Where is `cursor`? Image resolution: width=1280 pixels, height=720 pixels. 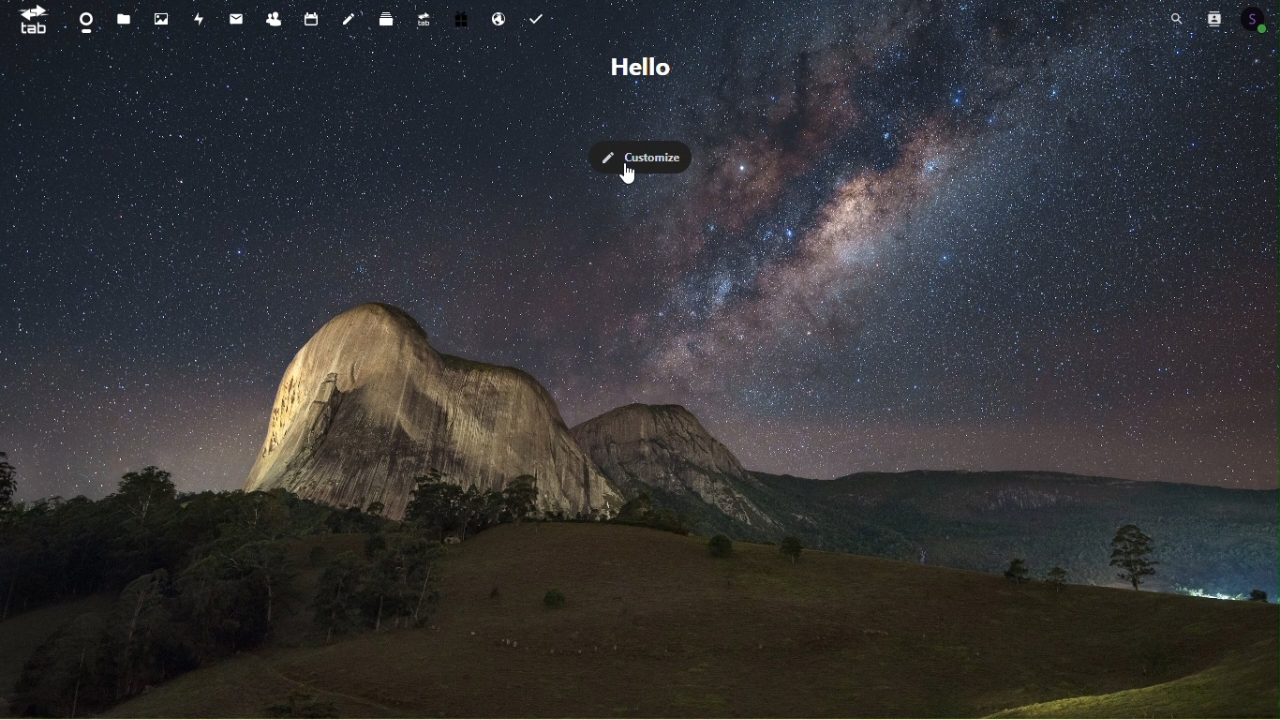
cursor is located at coordinates (628, 174).